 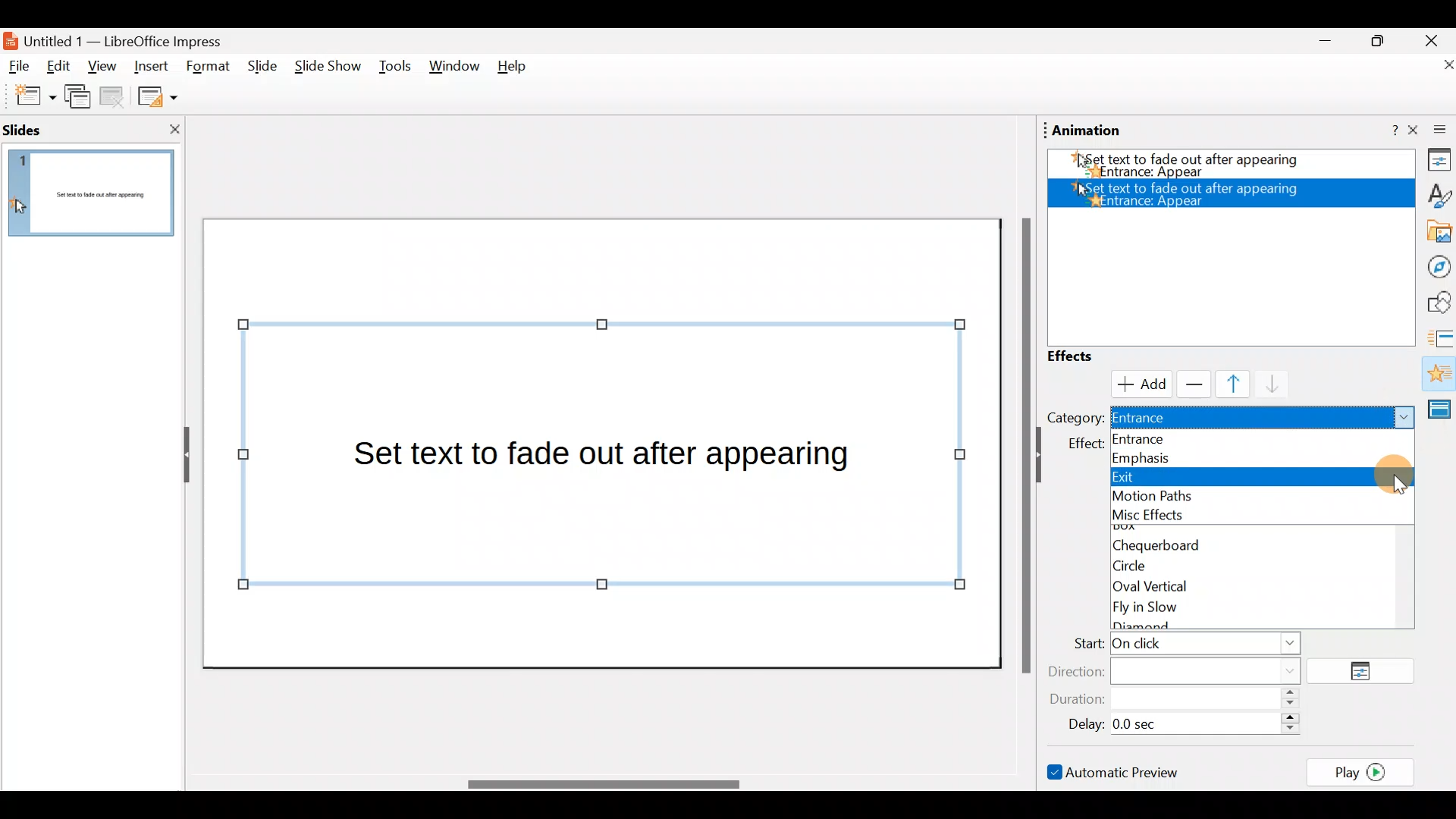 I want to click on Close sidebar deck, so click(x=1433, y=130).